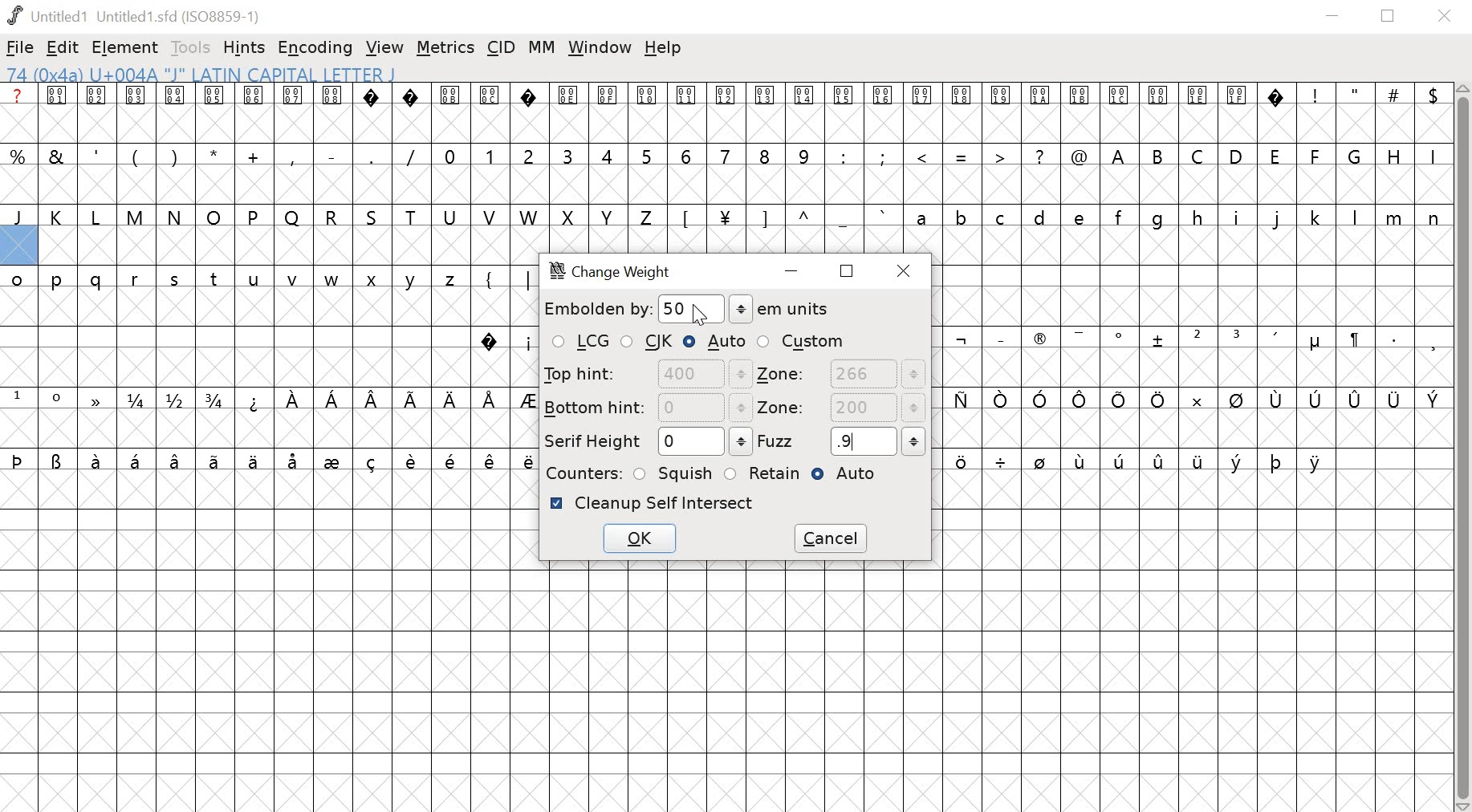 The width and height of the screenshot is (1472, 812). What do you see at coordinates (1197, 340) in the screenshot?
I see `symbols` at bounding box center [1197, 340].